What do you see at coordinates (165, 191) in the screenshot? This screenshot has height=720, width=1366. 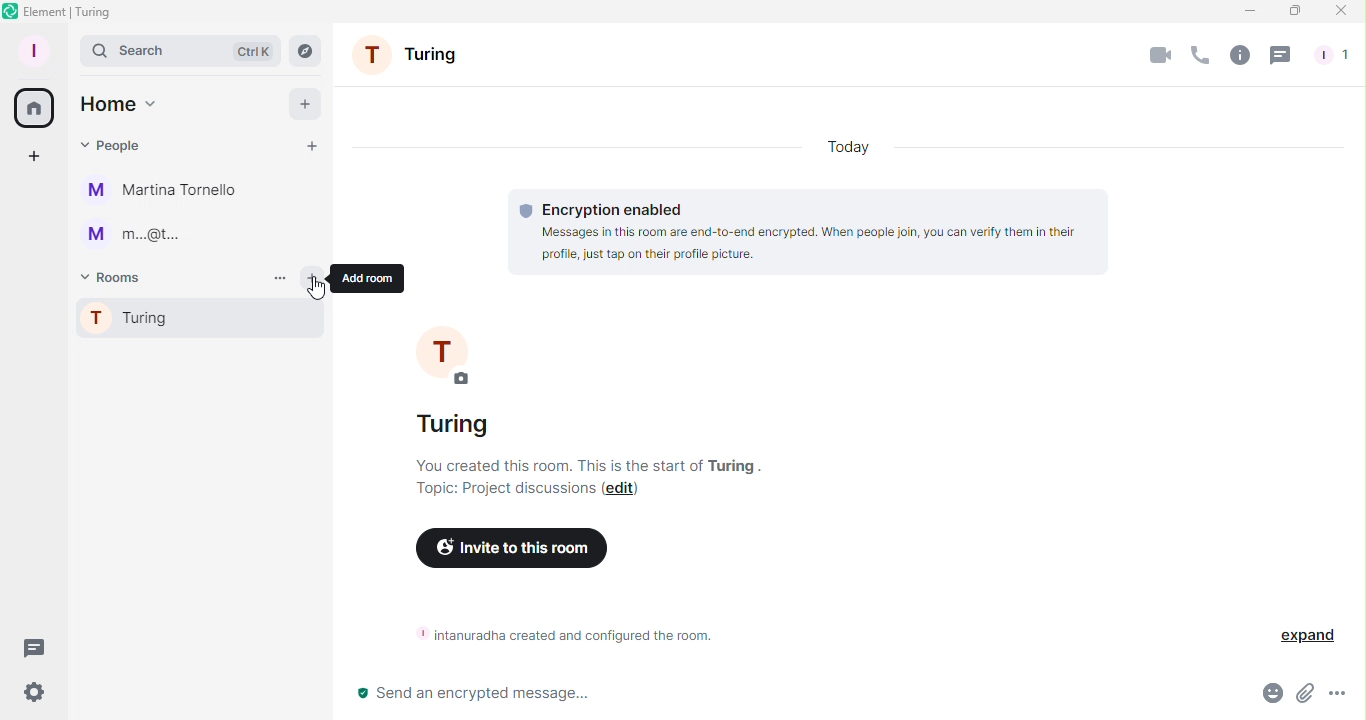 I see `Martina Tornello` at bounding box center [165, 191].